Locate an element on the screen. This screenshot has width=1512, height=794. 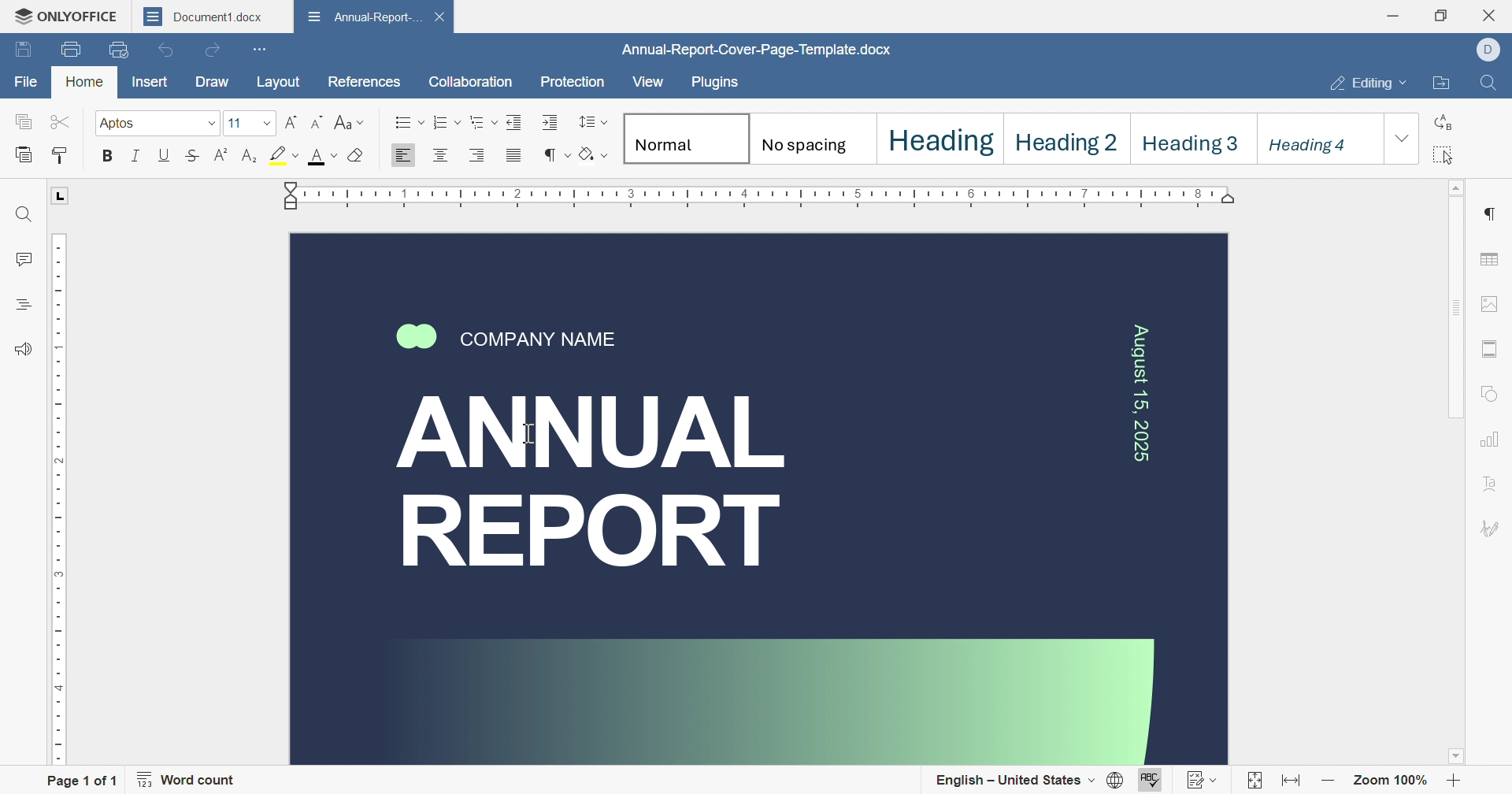
highlight color is located at coordinates (285, 155).